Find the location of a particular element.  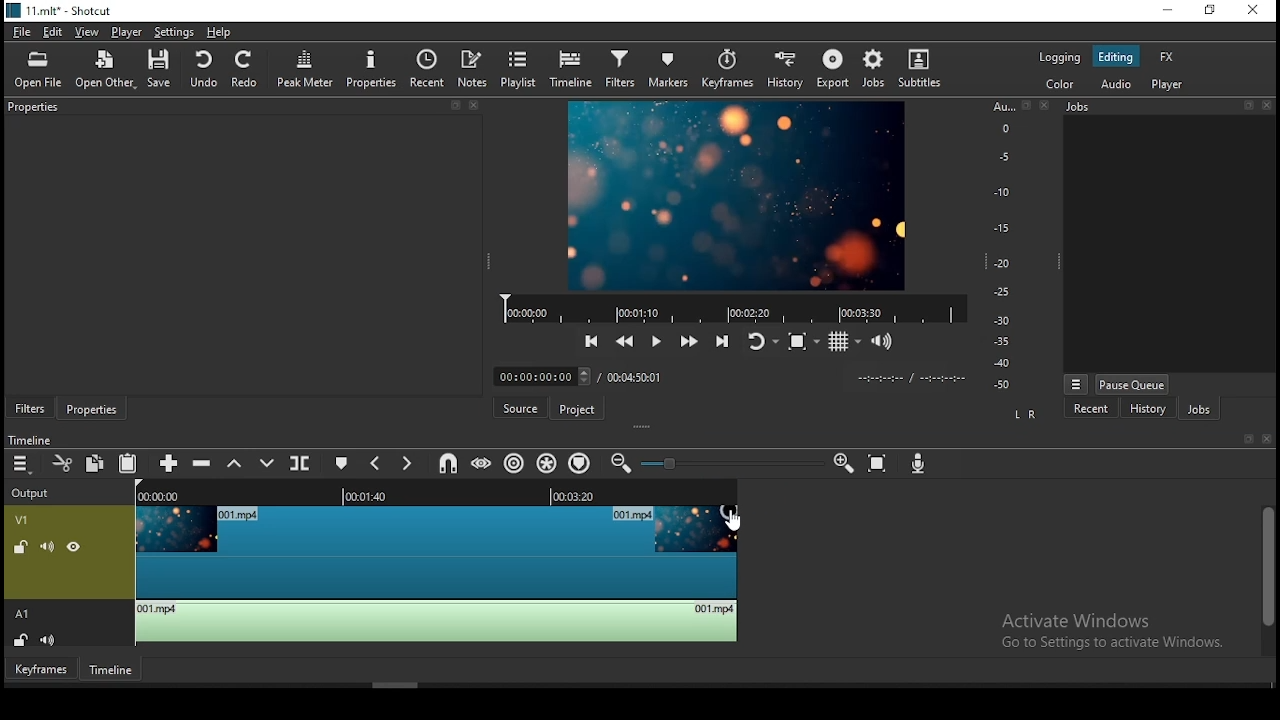

editing is located at coordinates (1116, 57).